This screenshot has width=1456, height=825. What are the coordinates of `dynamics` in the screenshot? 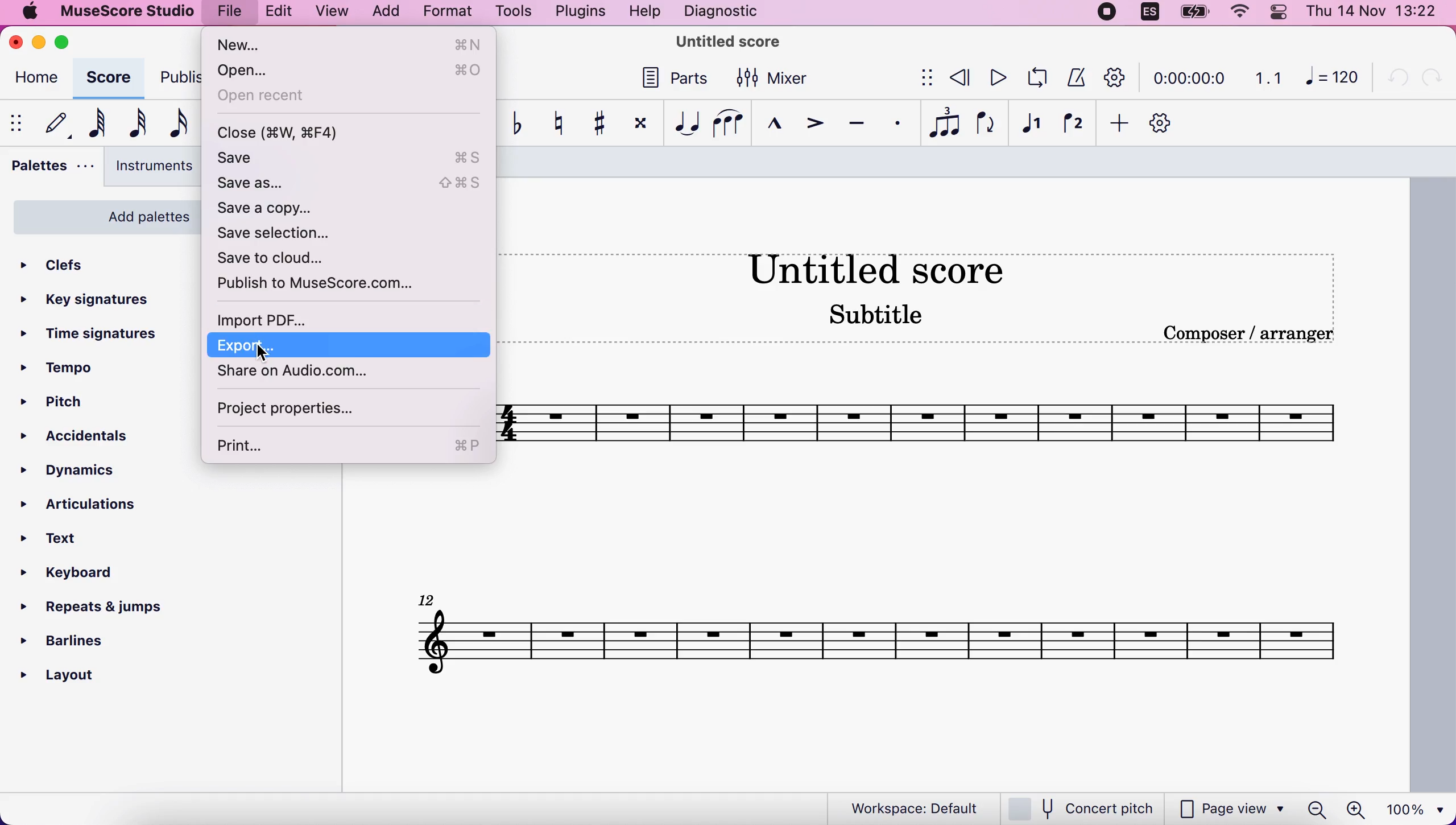 It's located at (88, 471).